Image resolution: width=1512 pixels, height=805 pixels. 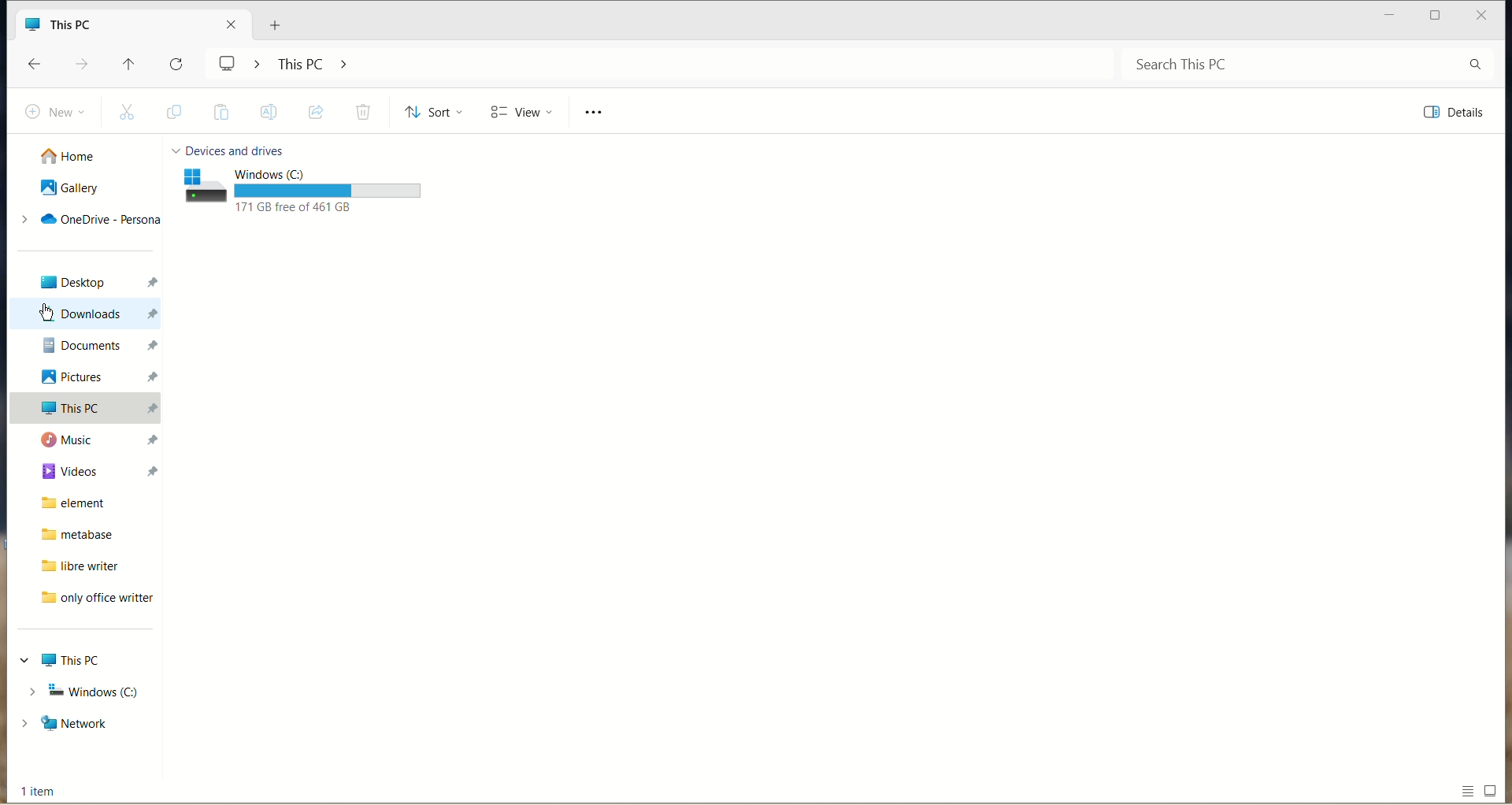 I want to click on Windows C, so click(x=83, y=692).